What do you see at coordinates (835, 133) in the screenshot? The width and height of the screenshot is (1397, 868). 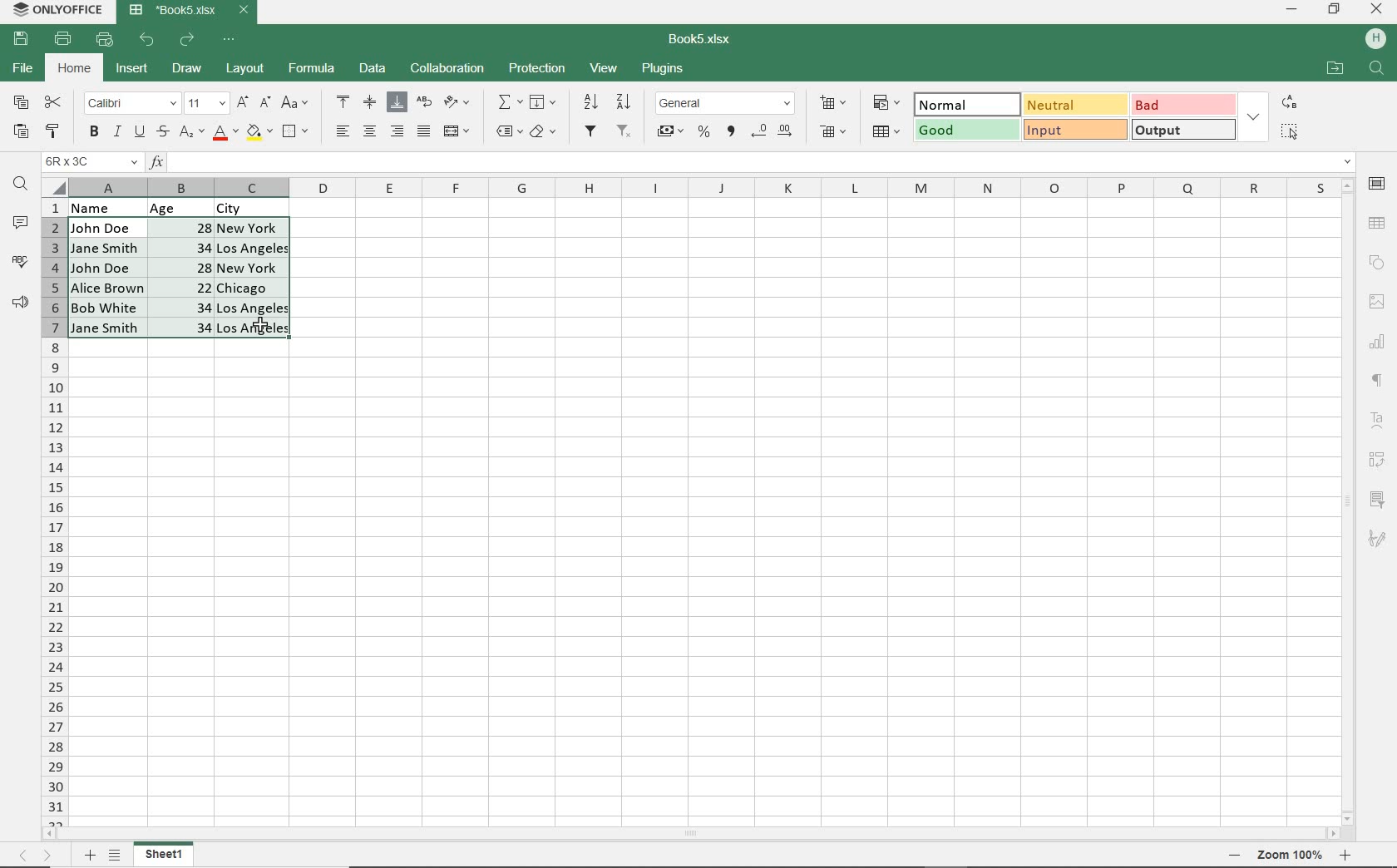 I see `DELETE CELLS` at bounding box center [835, 133].